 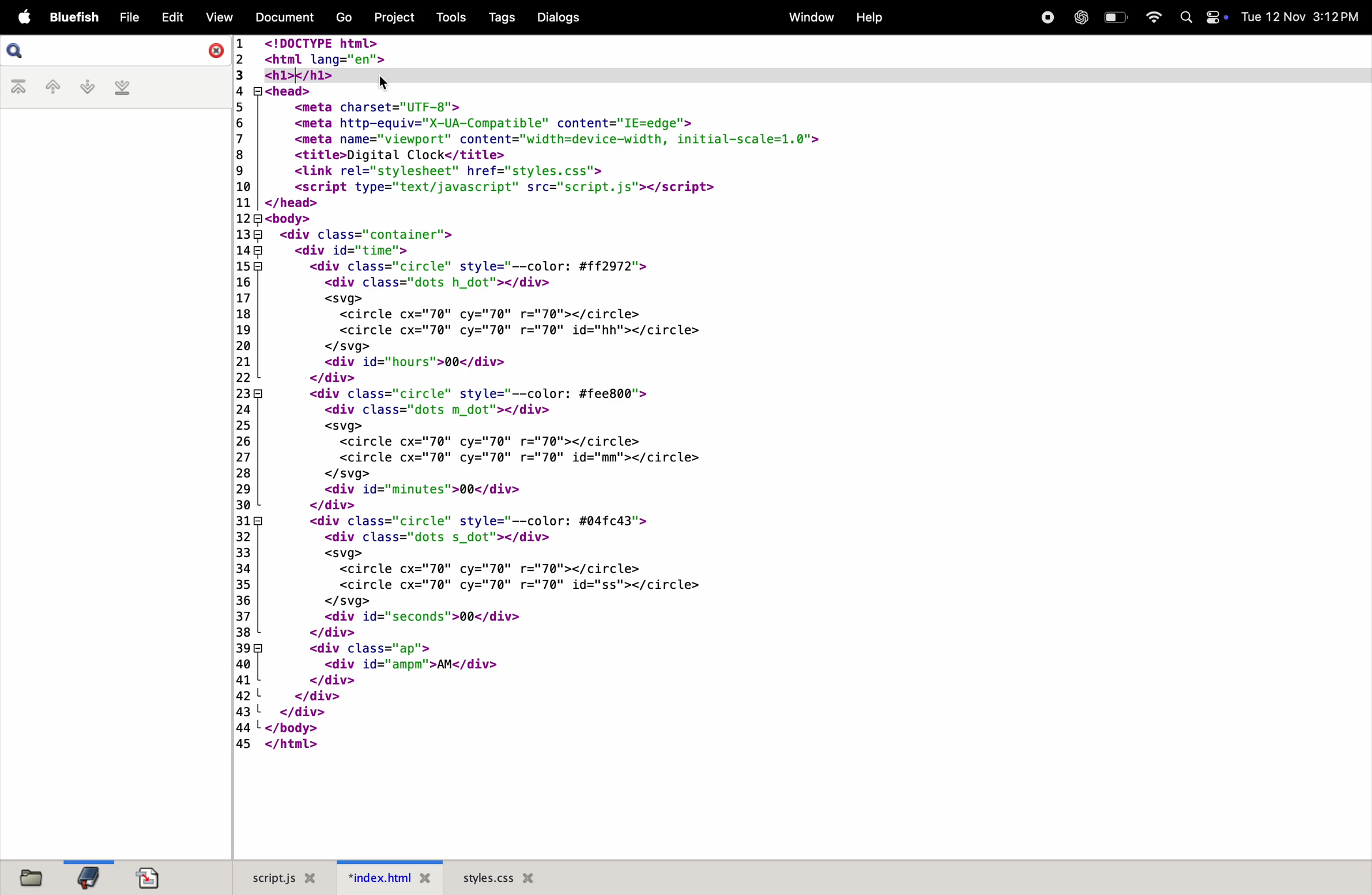 What do you see at coordinates (499, 18) in the screenshot?
I see `tags` at bounding box center [499, 18].